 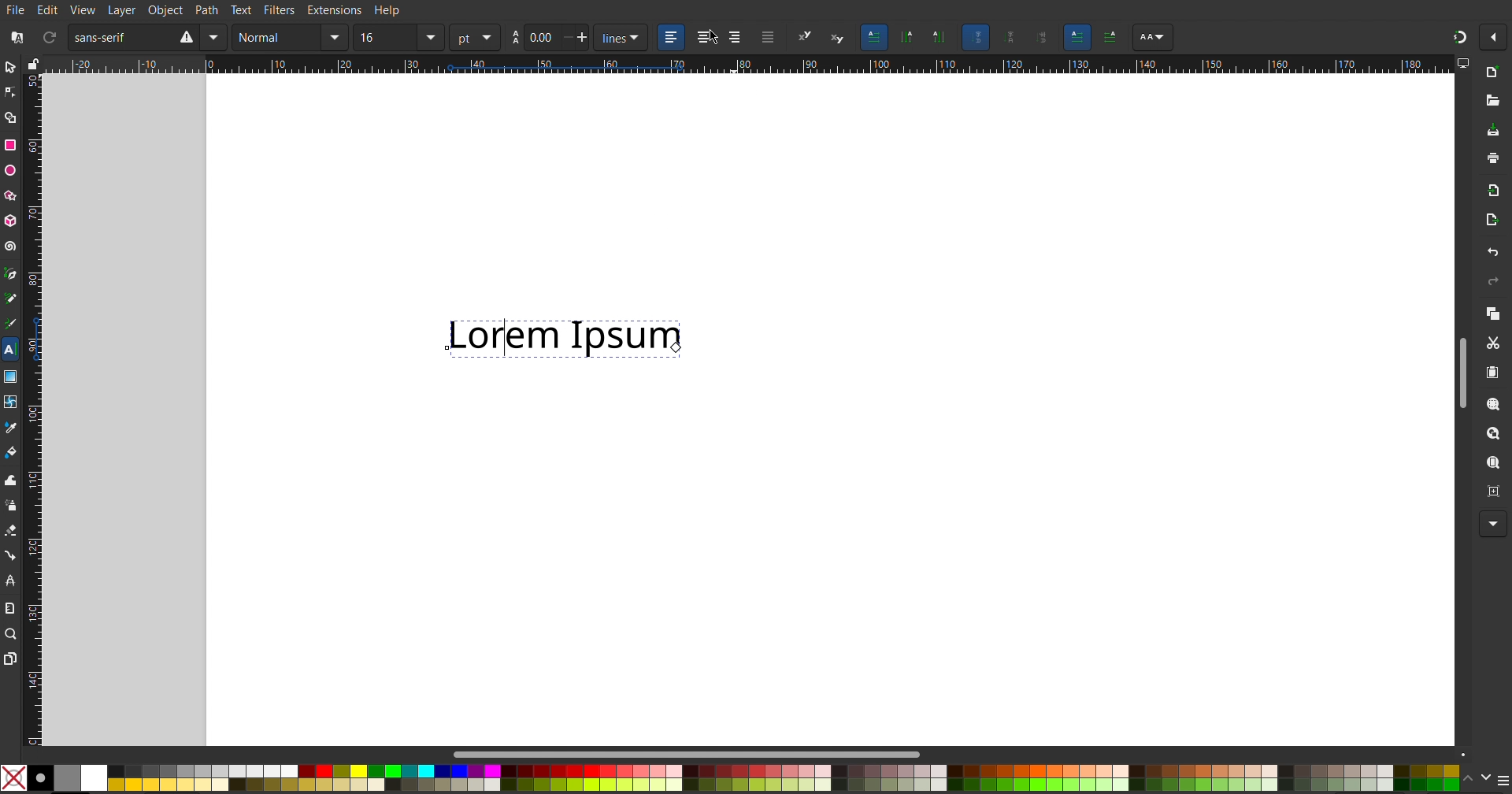 I want to click on Tweak Tool, so click(x=14, y=479).